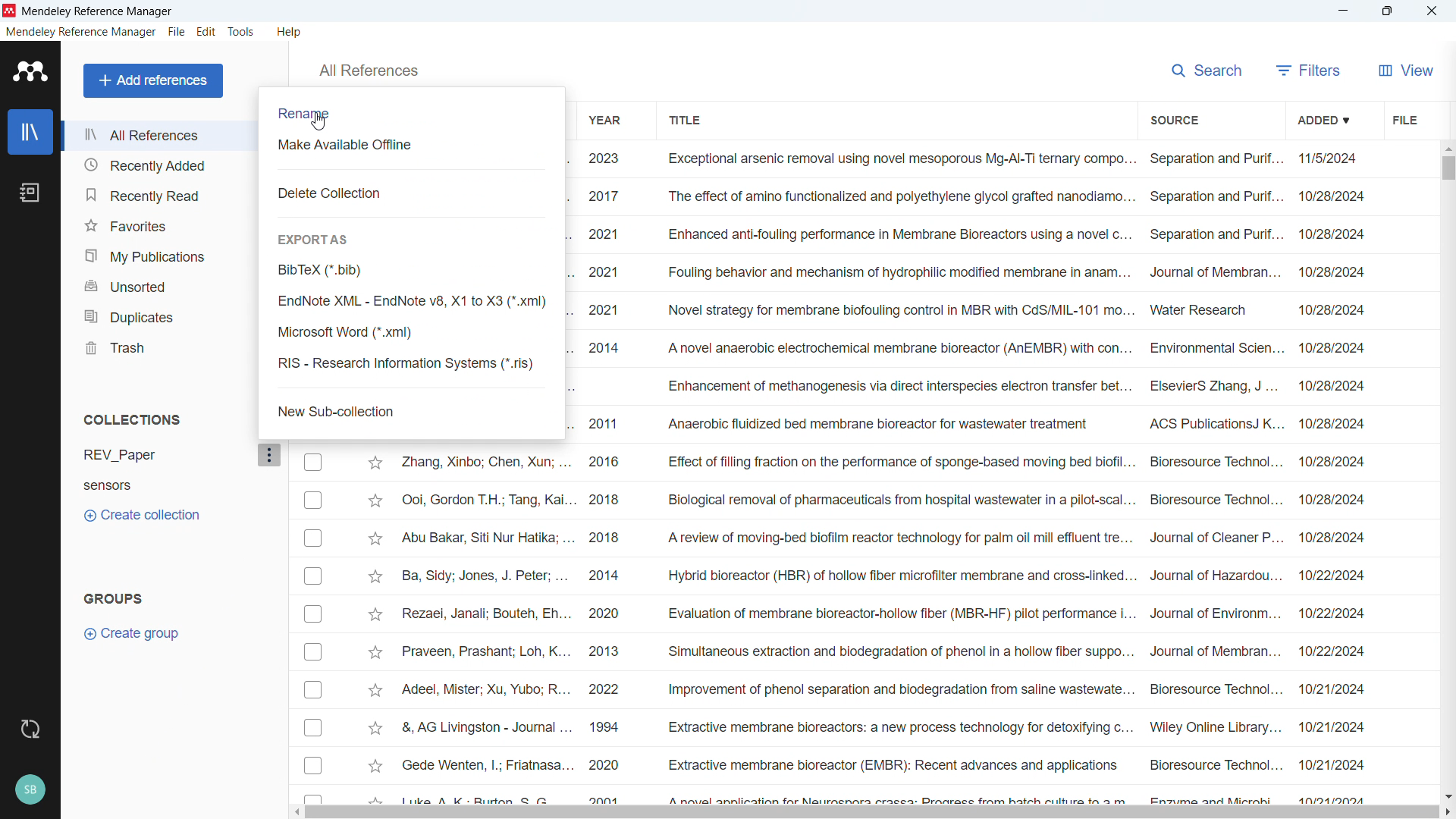 Image resolution: width=1456 pixels, height=819 pixels. What do you see at coordinates (158, 165) in the screenshot?
I see `Recently added ` at bounding box center [158, 165].